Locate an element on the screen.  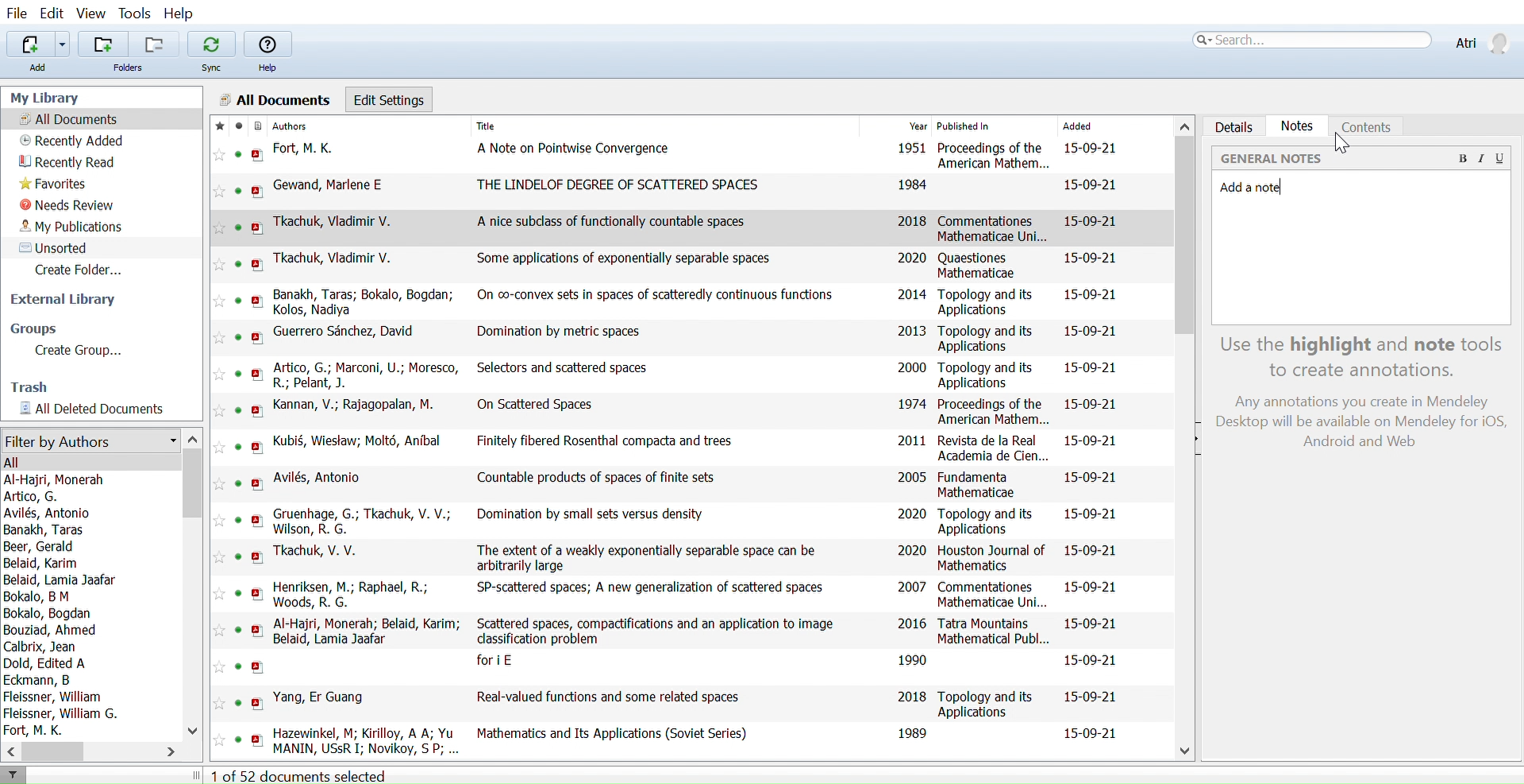
SP-scattered spaces; A new generalization of scattered spaces is located at coordinates (652, 589).